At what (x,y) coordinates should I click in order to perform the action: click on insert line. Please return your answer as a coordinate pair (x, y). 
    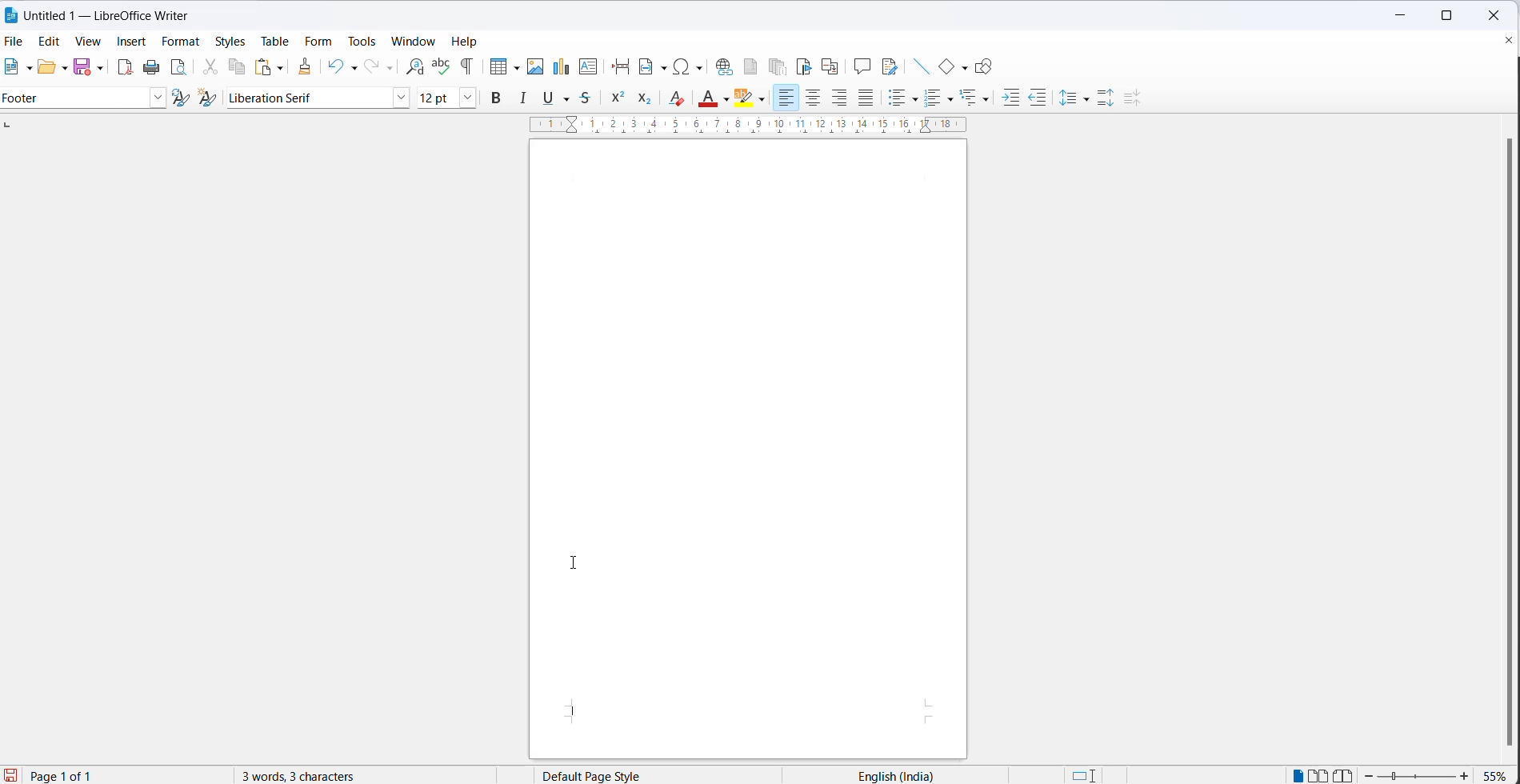
    Looking at the image, I should click on (918, 64).